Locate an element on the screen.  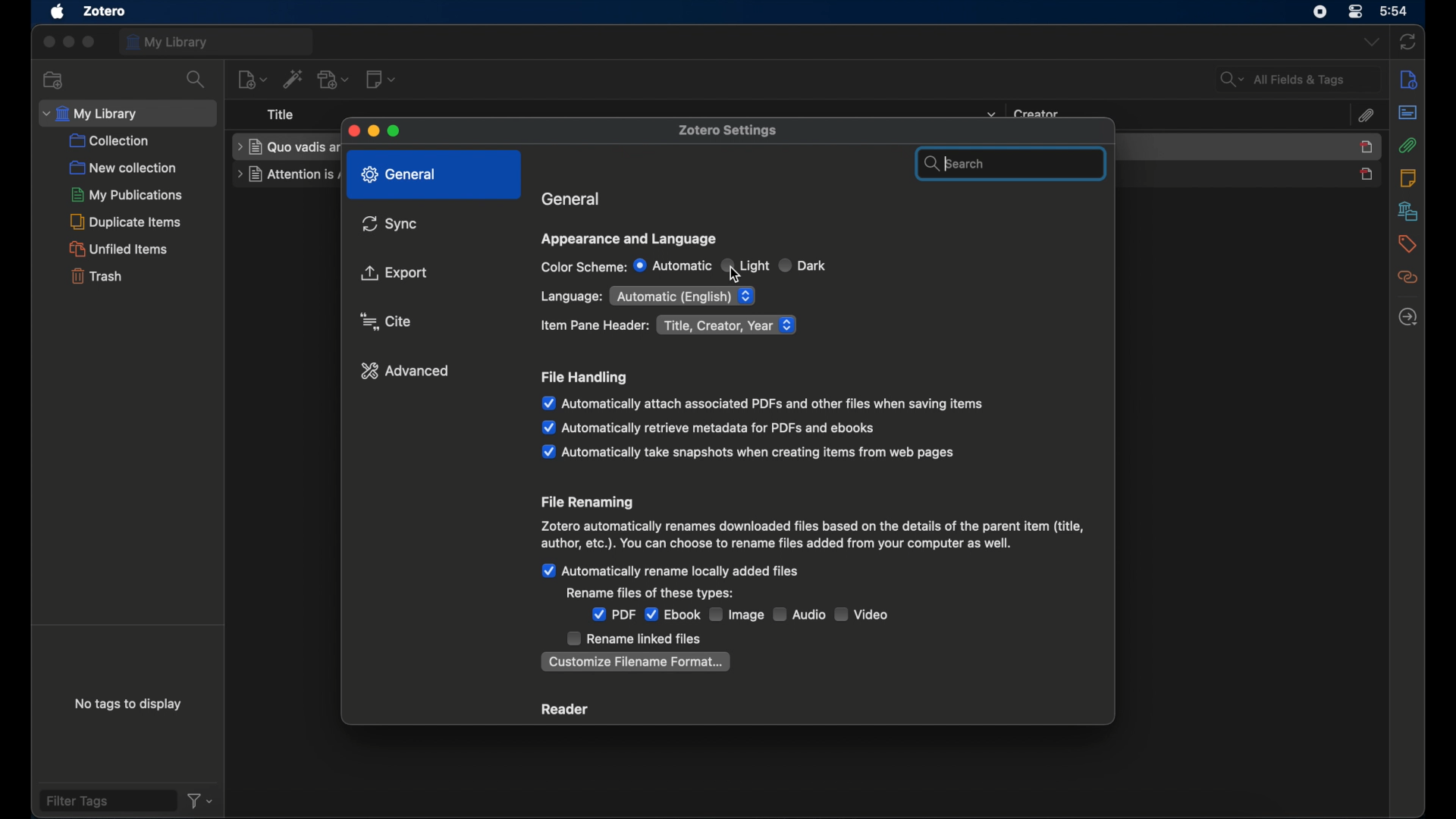
new collection is located at coordinates (127, 169).